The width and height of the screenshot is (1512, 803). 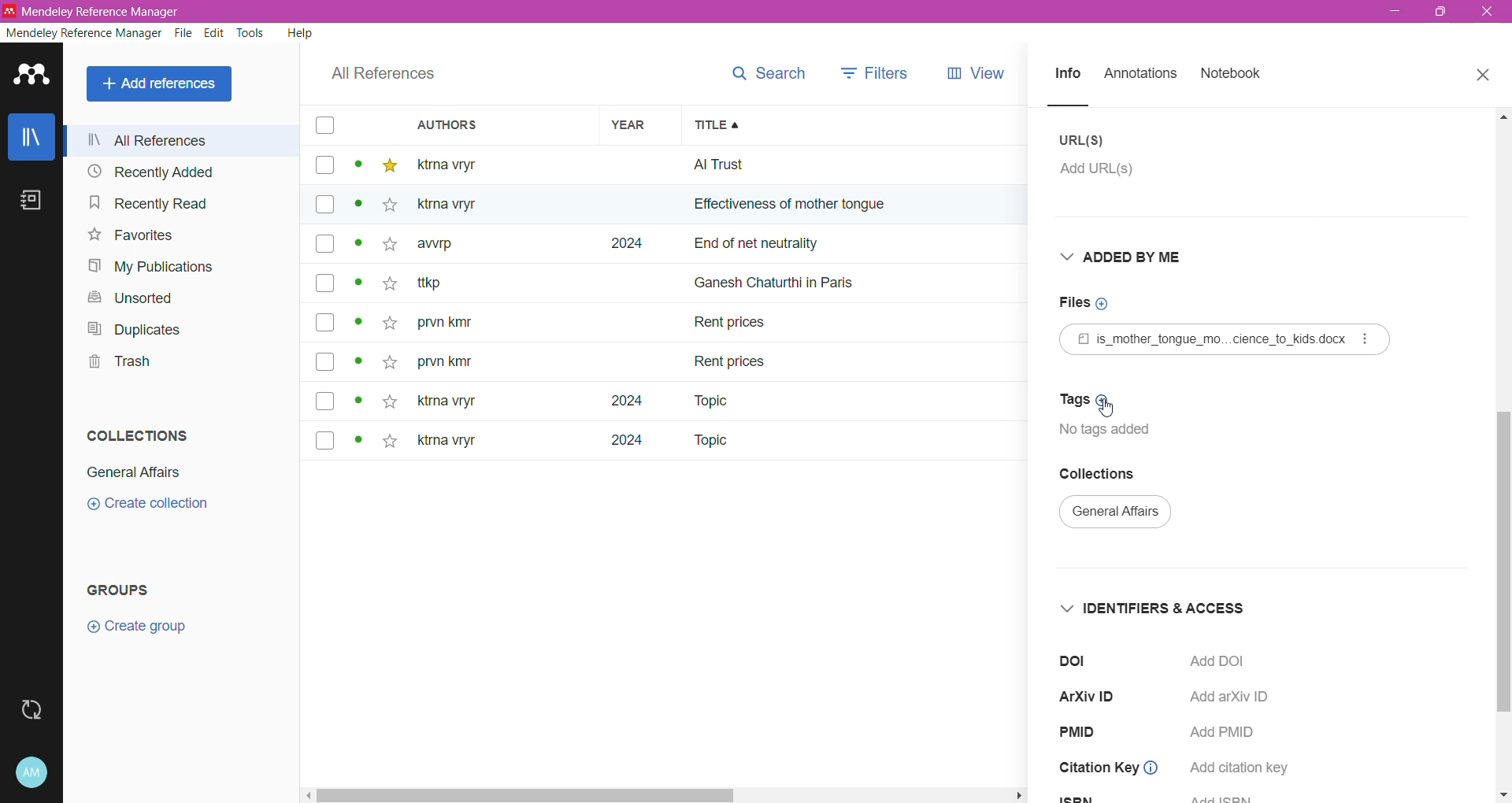 I want to click on box, so click(x=325, y=322).